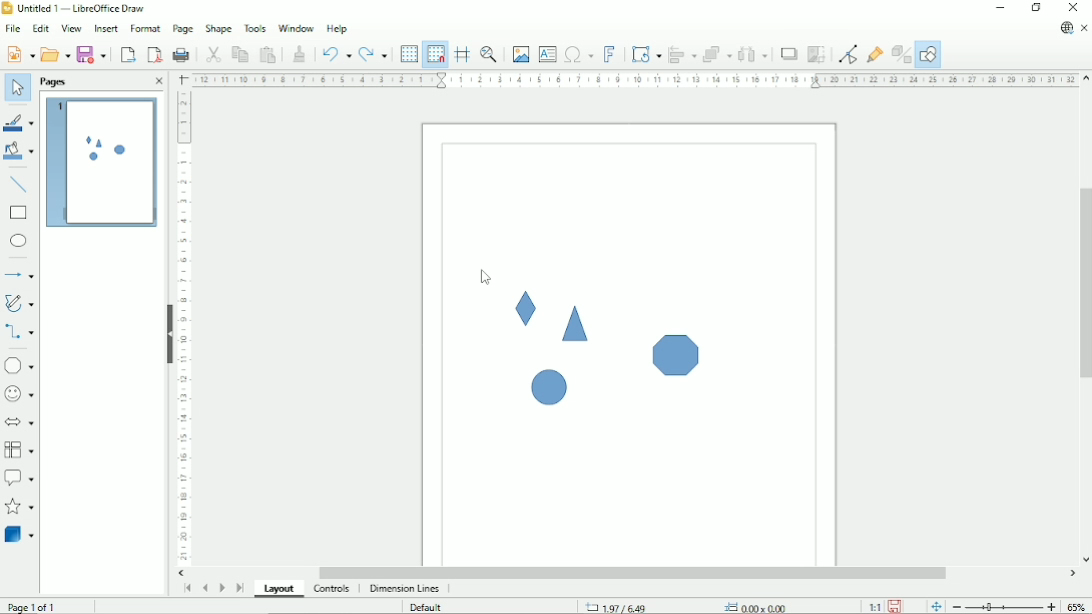  What do you see at coordinates (681, 54) in the screenshot?
I see `Align objects` at bounding box center [681, 54].